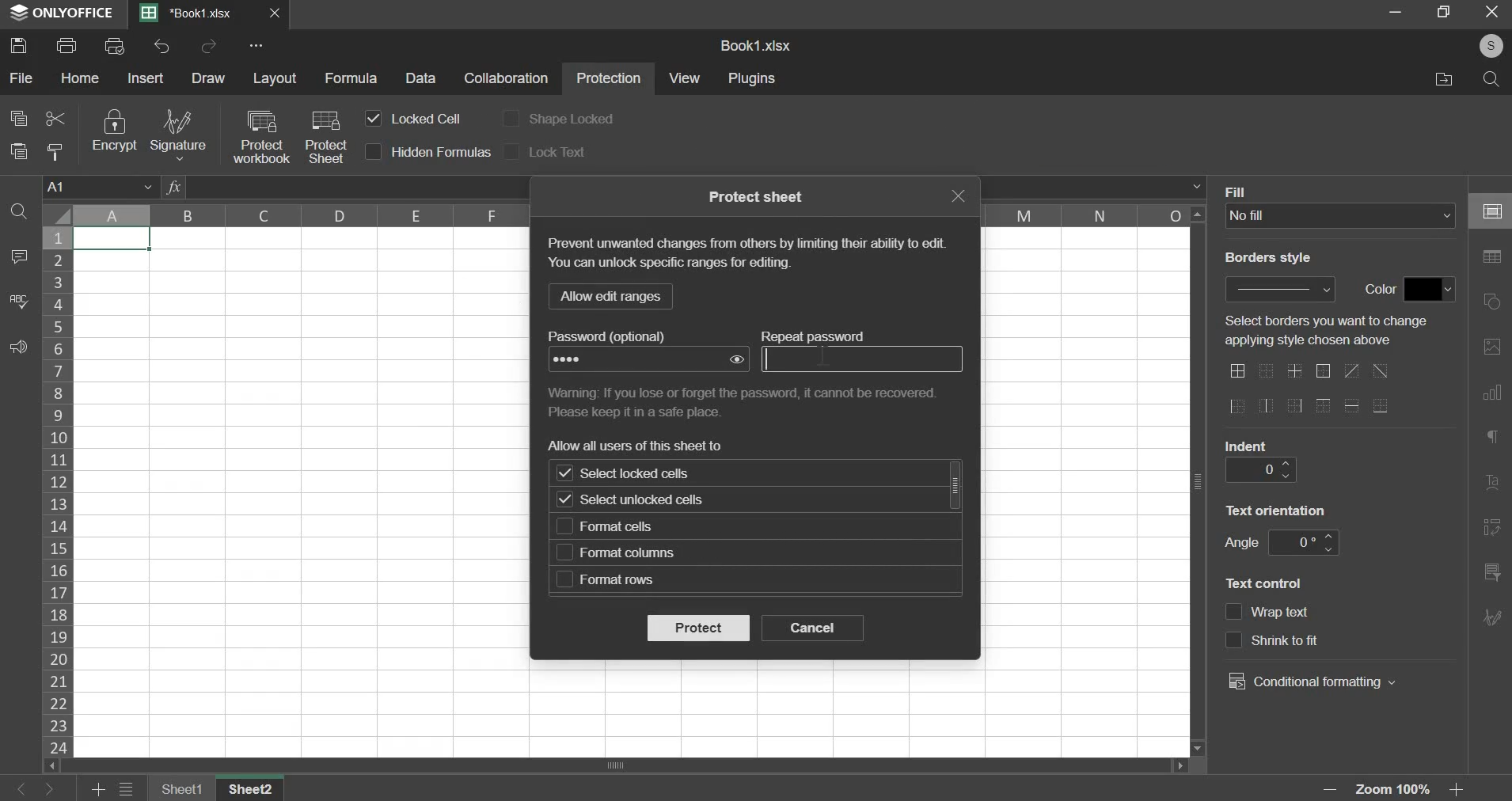  Describe the element at coordinates (1278, 508) in the screenshot. I see `text` at that location.